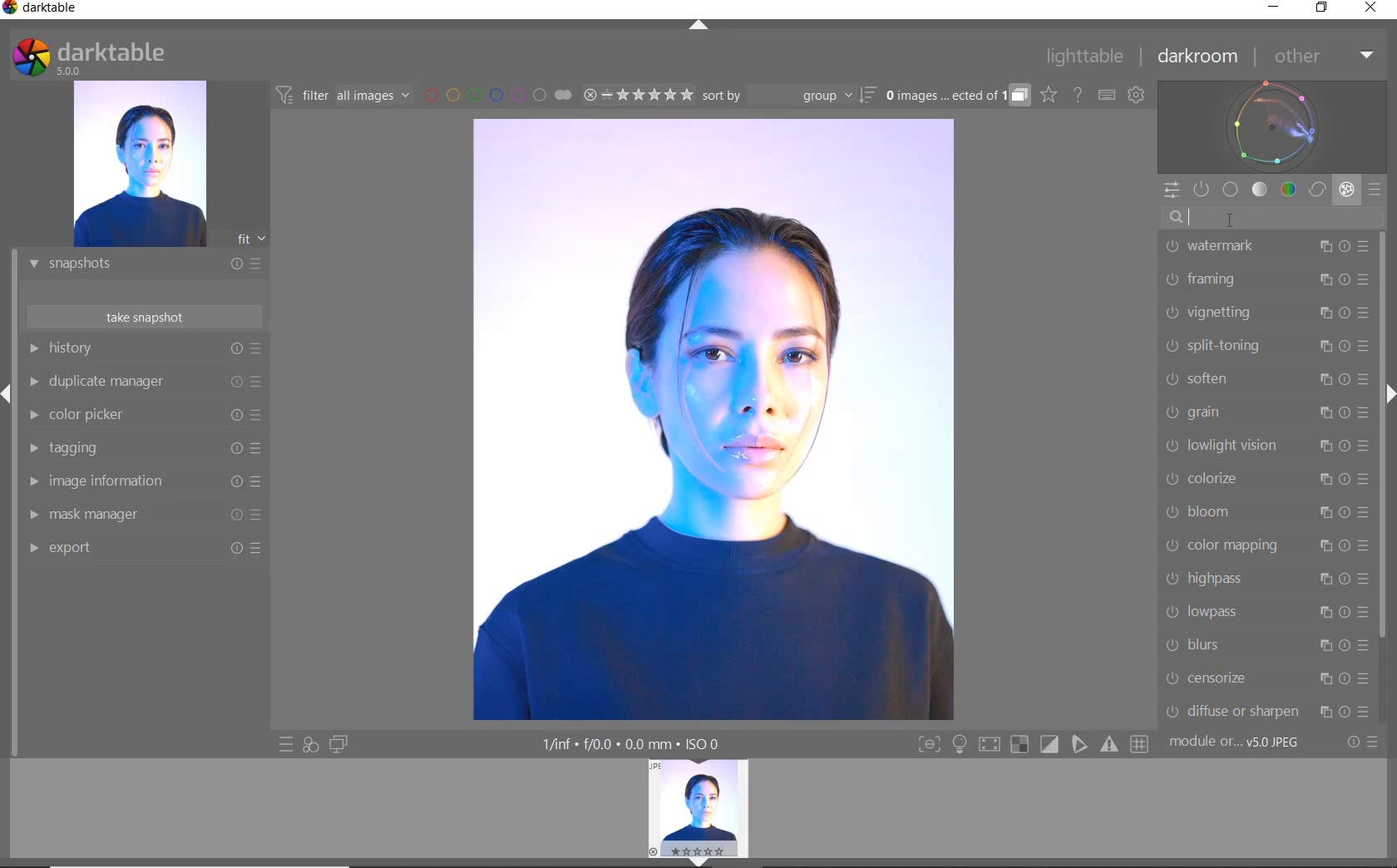 The height and width of the screenshot is (868, 1397). What do you see at coordinates (1265, 377) in the screenshot?
I see `SOFTEN` at bounding box center [1265, 377].